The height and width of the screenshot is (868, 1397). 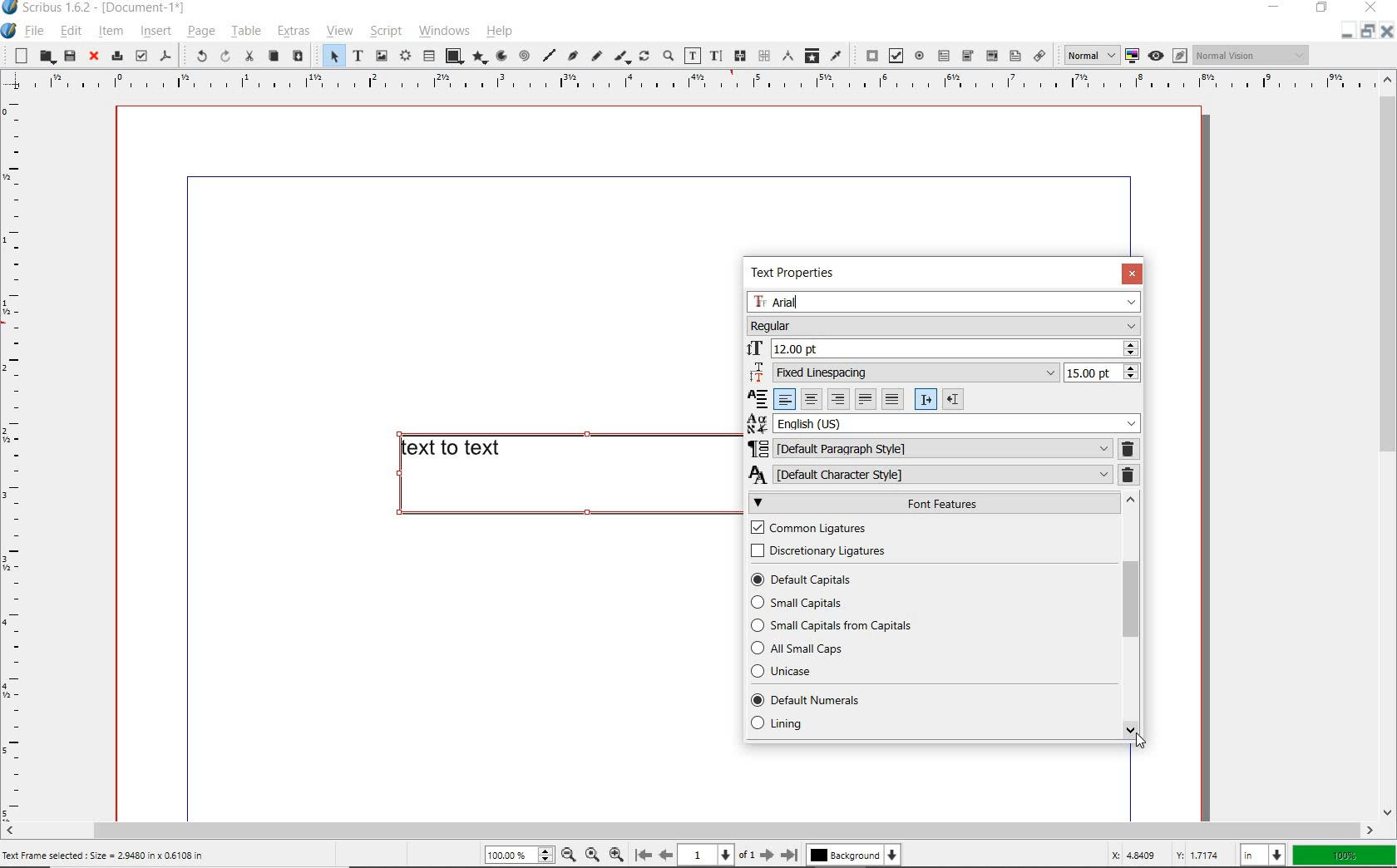 What do you see at coordinates (1277, 8) in the screenshot?
I see `minimize` at bounding box center [1277, 8].